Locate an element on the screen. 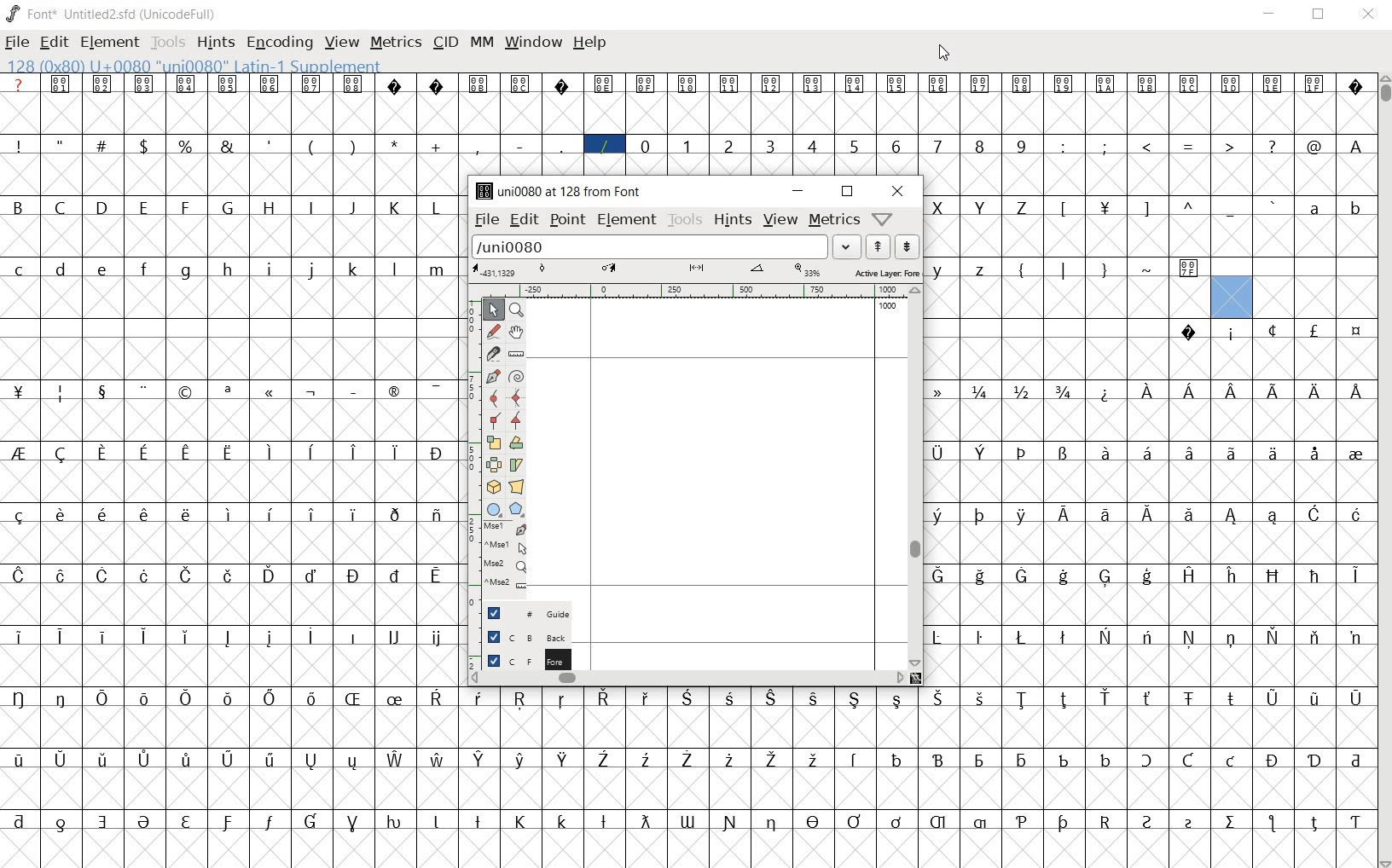 Image resolution: width=1392 pixels, height=868 pixels. glyph is located at coordinates (729, 147).